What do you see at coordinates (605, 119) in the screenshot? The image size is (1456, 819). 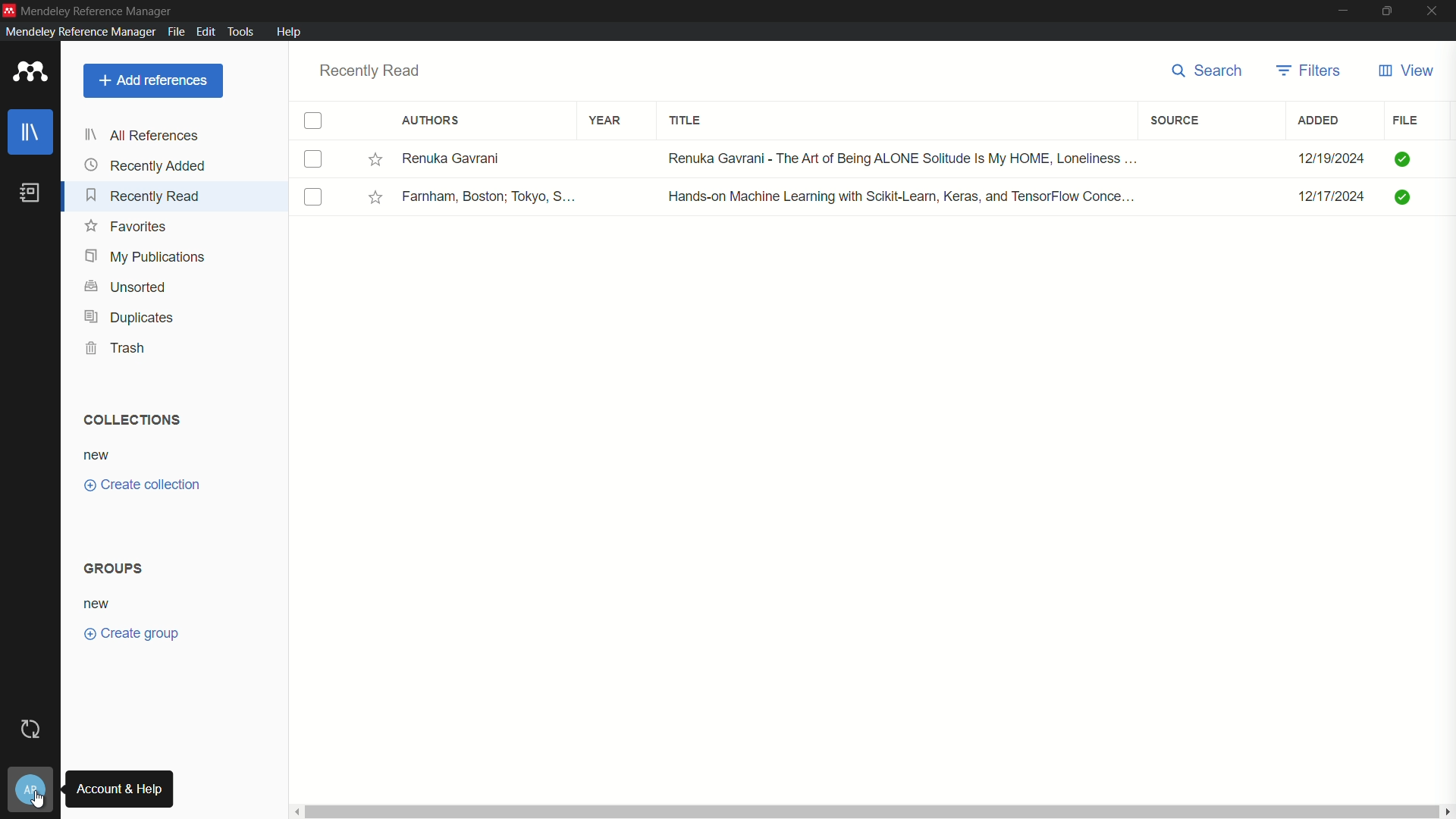 I see `year` at bounding box center [605, 119].